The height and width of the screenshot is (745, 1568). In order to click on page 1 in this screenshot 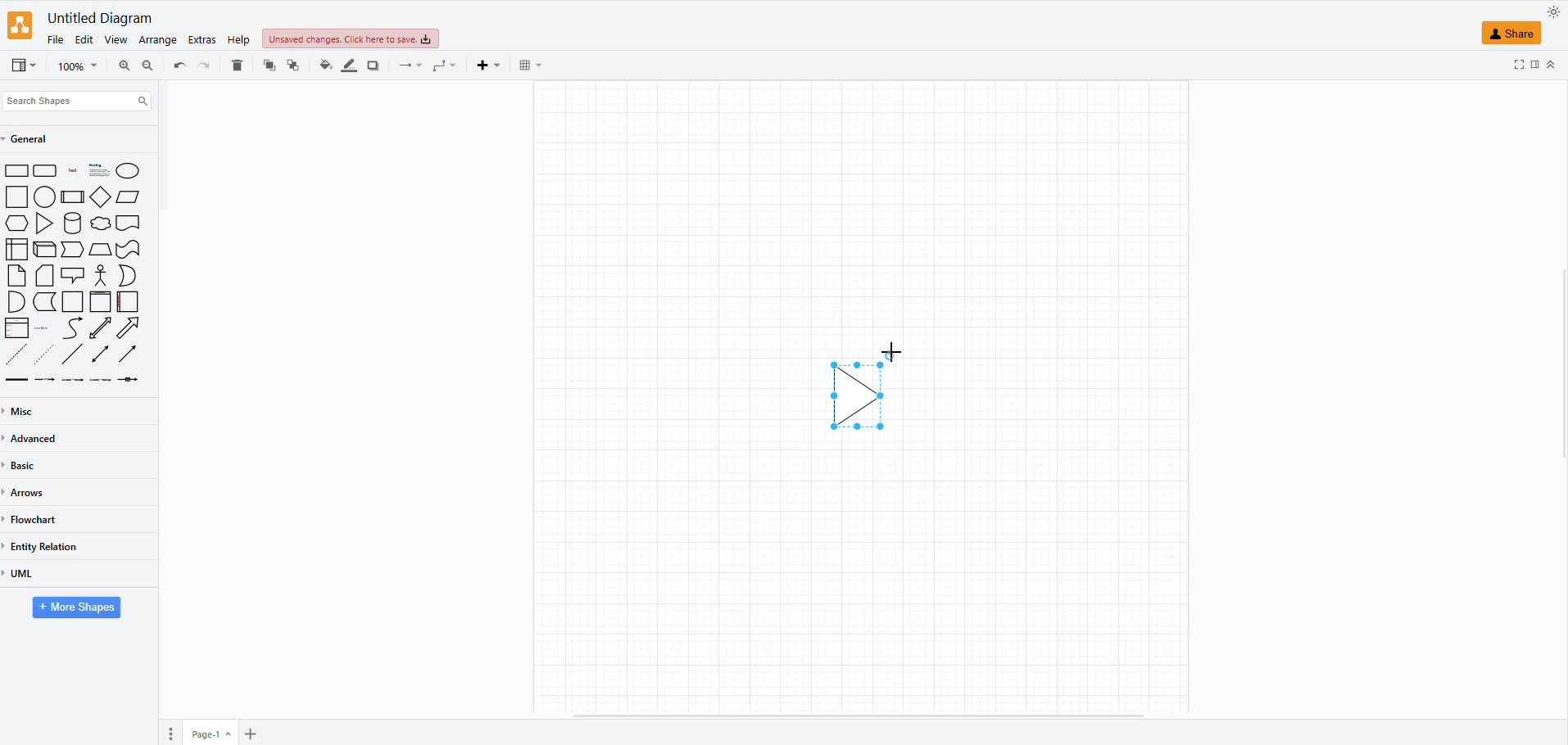, I will do `click(212, 732)`.